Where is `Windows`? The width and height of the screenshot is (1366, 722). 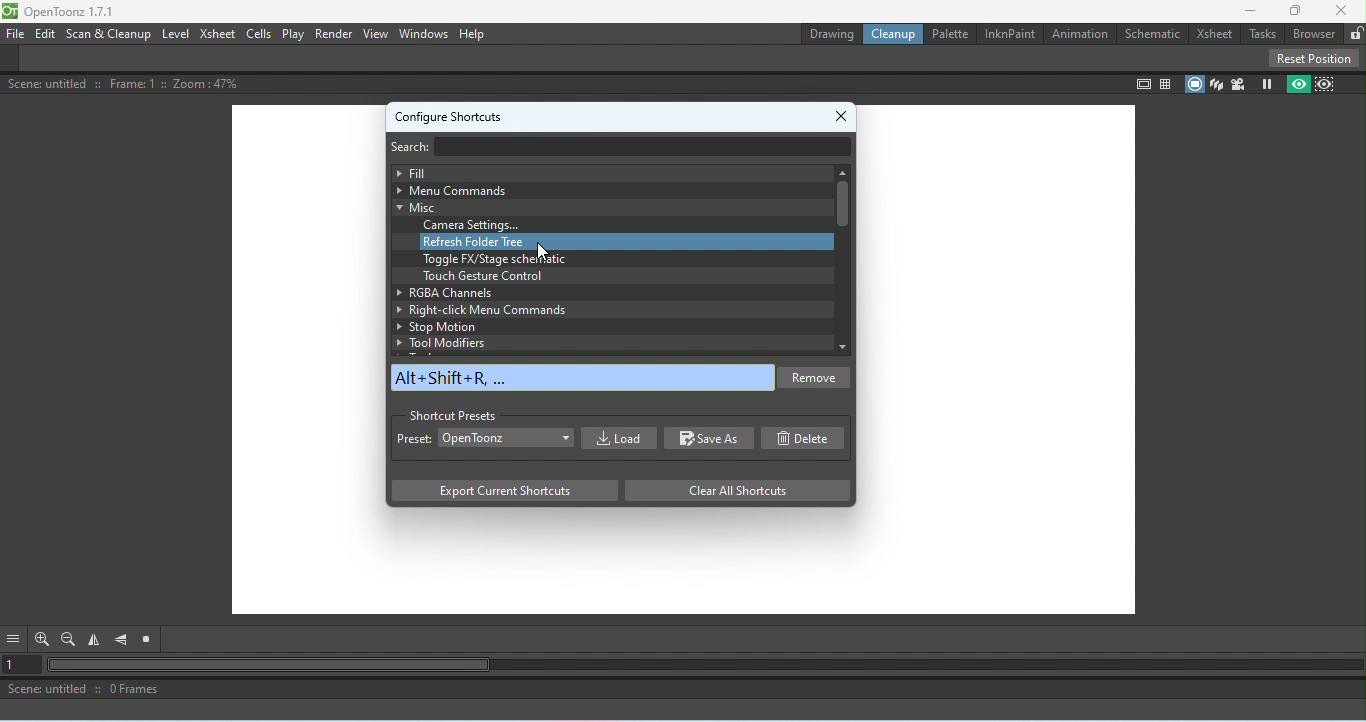
Windows is located at coordinates (424, 33).